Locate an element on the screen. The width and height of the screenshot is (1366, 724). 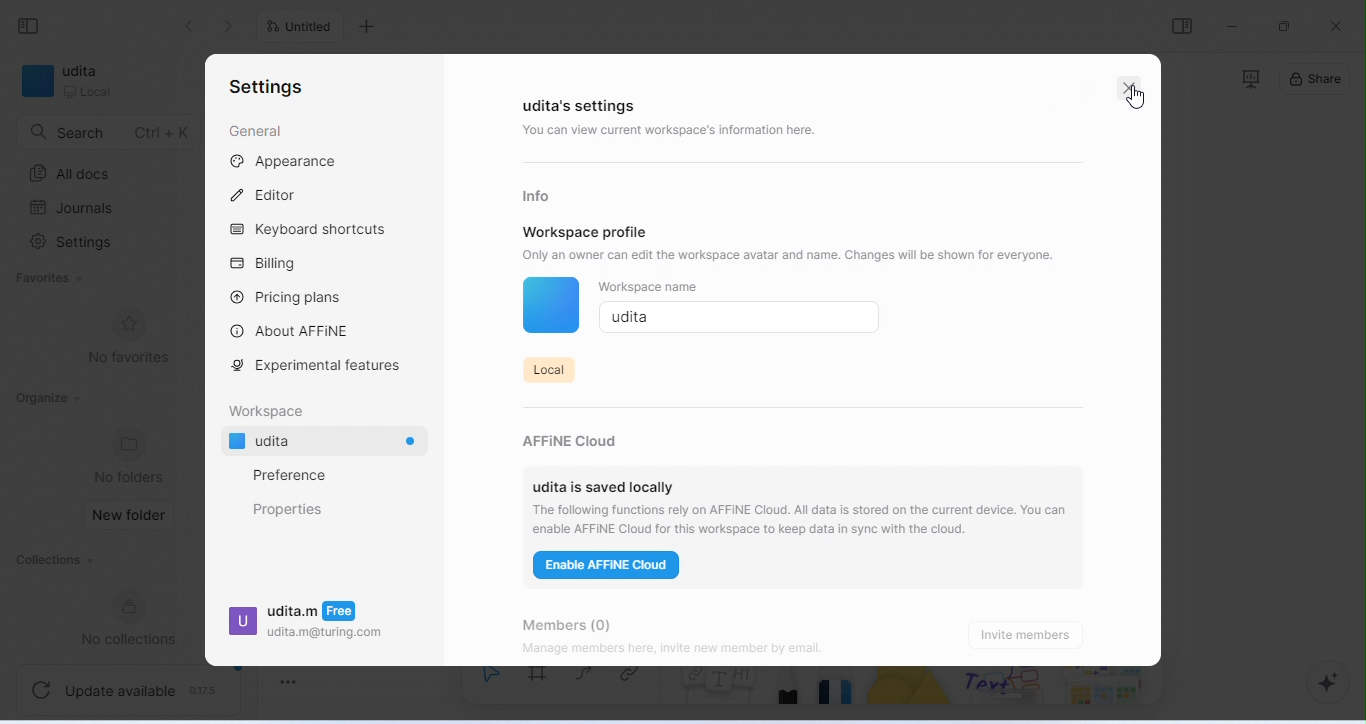
notes is located at coordinates (719, 695).